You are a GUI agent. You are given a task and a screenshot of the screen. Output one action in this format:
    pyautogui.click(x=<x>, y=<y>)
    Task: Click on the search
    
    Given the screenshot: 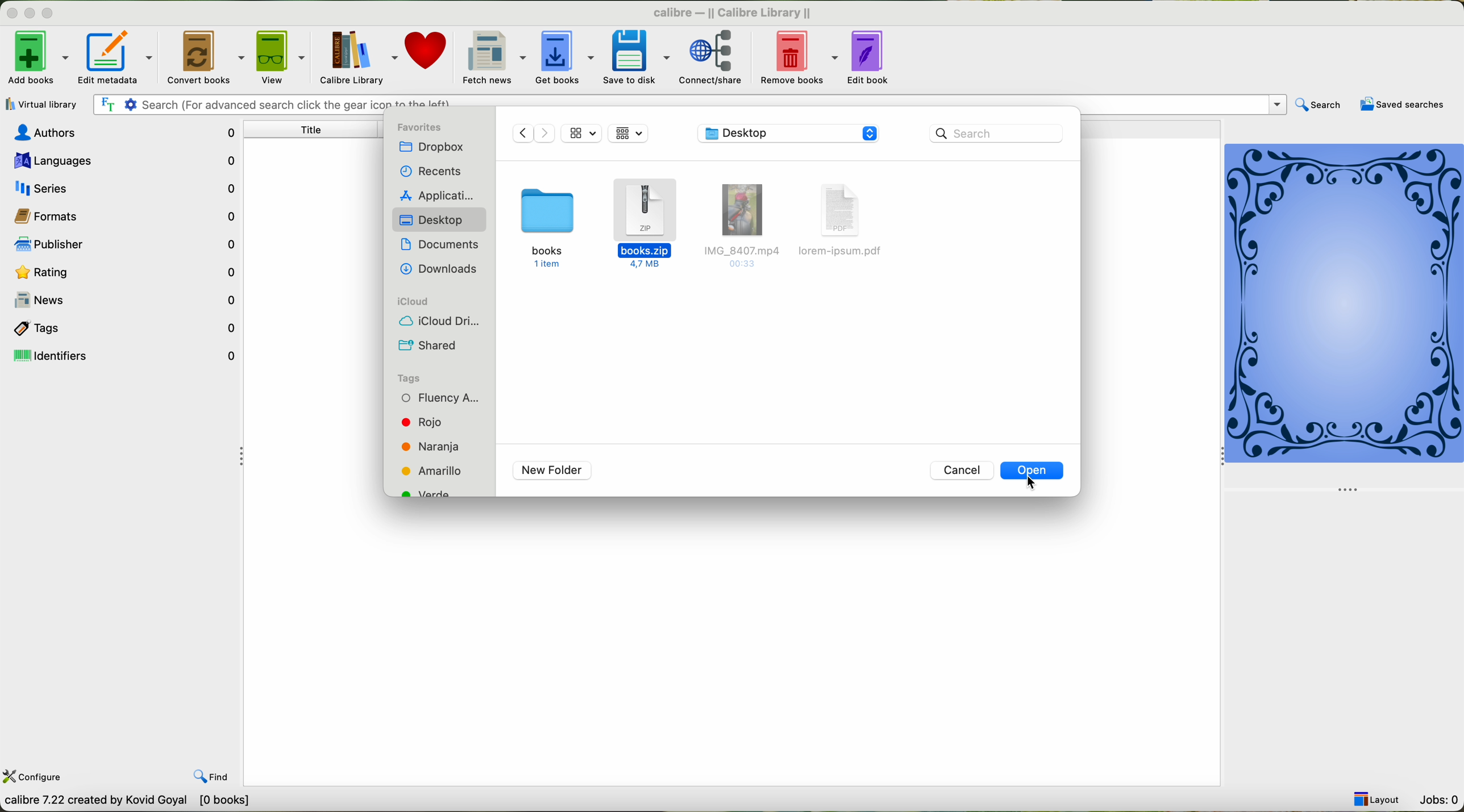 What is the action you would take?
    pyautogui.click(x=1320, y=104)
    